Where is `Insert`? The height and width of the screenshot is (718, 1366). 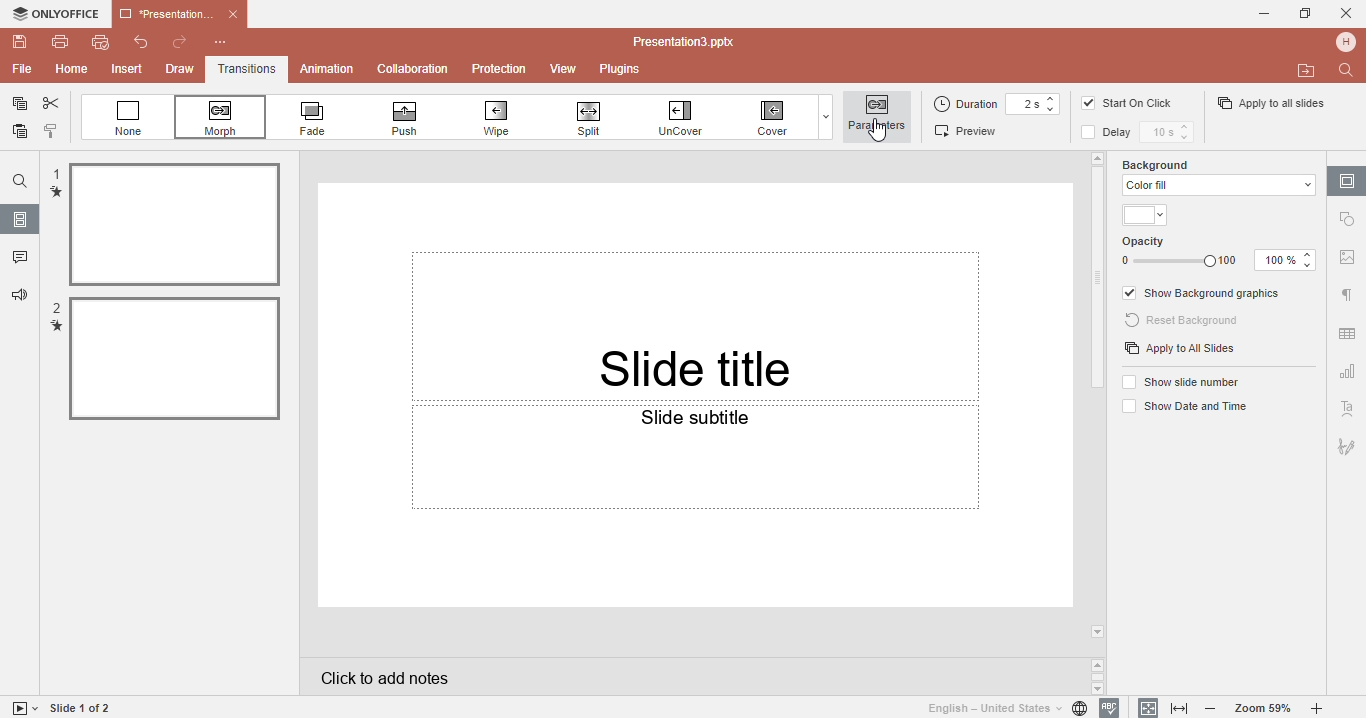 Insert is located at coordinates (129, 70).